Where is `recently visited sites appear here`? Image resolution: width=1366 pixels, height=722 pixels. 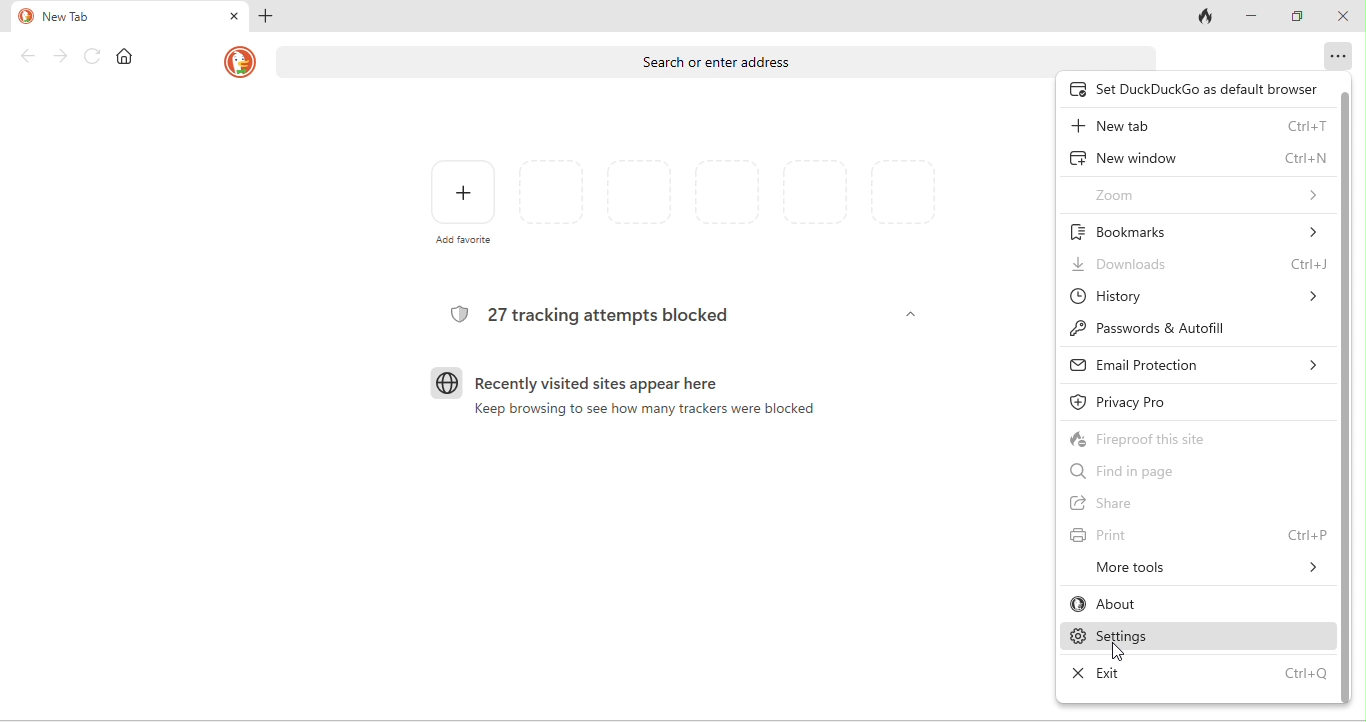 recently visited sites appear here is located at coordinates (598, 384).